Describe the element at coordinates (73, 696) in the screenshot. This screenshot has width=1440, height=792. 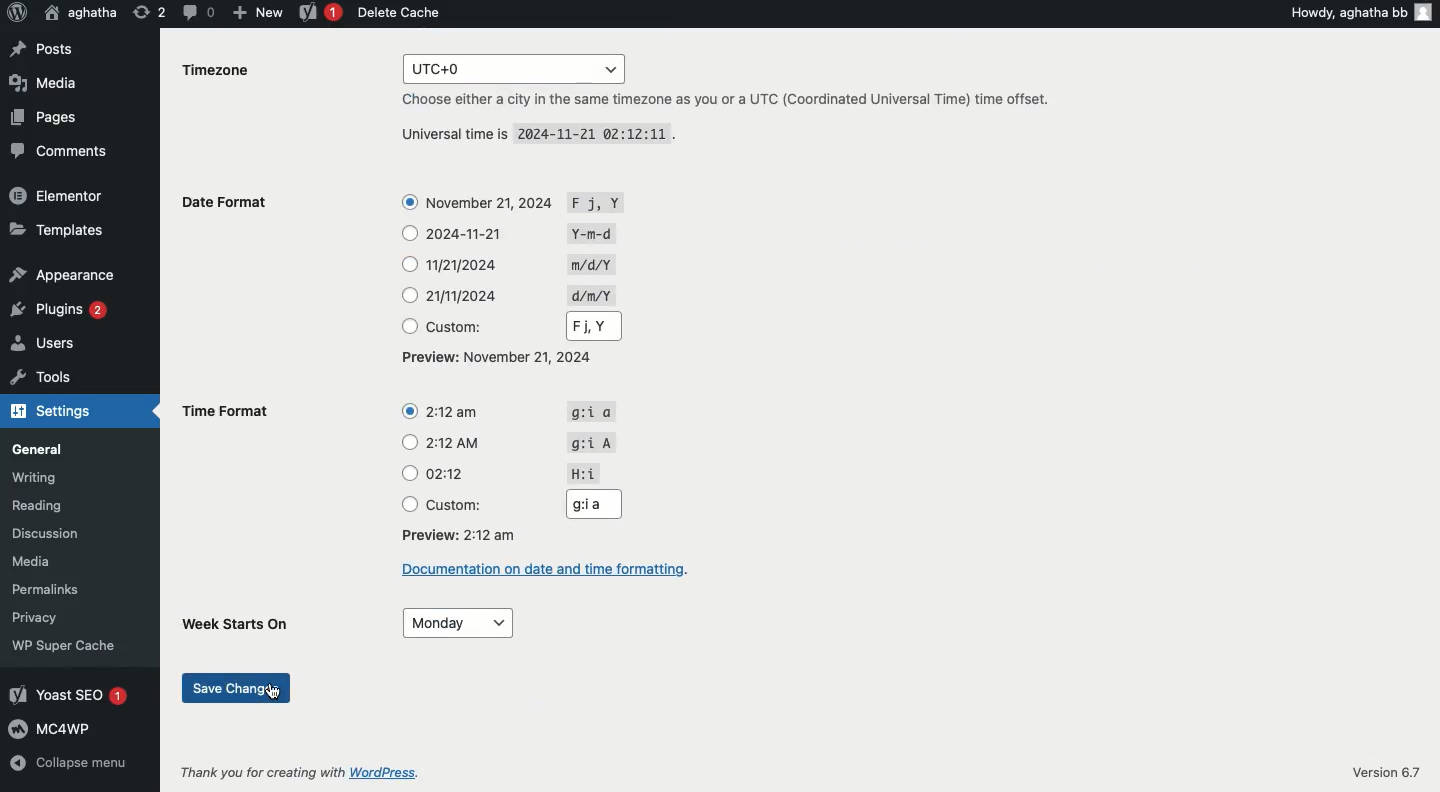
I see `Yoast SEO 1` at that location.